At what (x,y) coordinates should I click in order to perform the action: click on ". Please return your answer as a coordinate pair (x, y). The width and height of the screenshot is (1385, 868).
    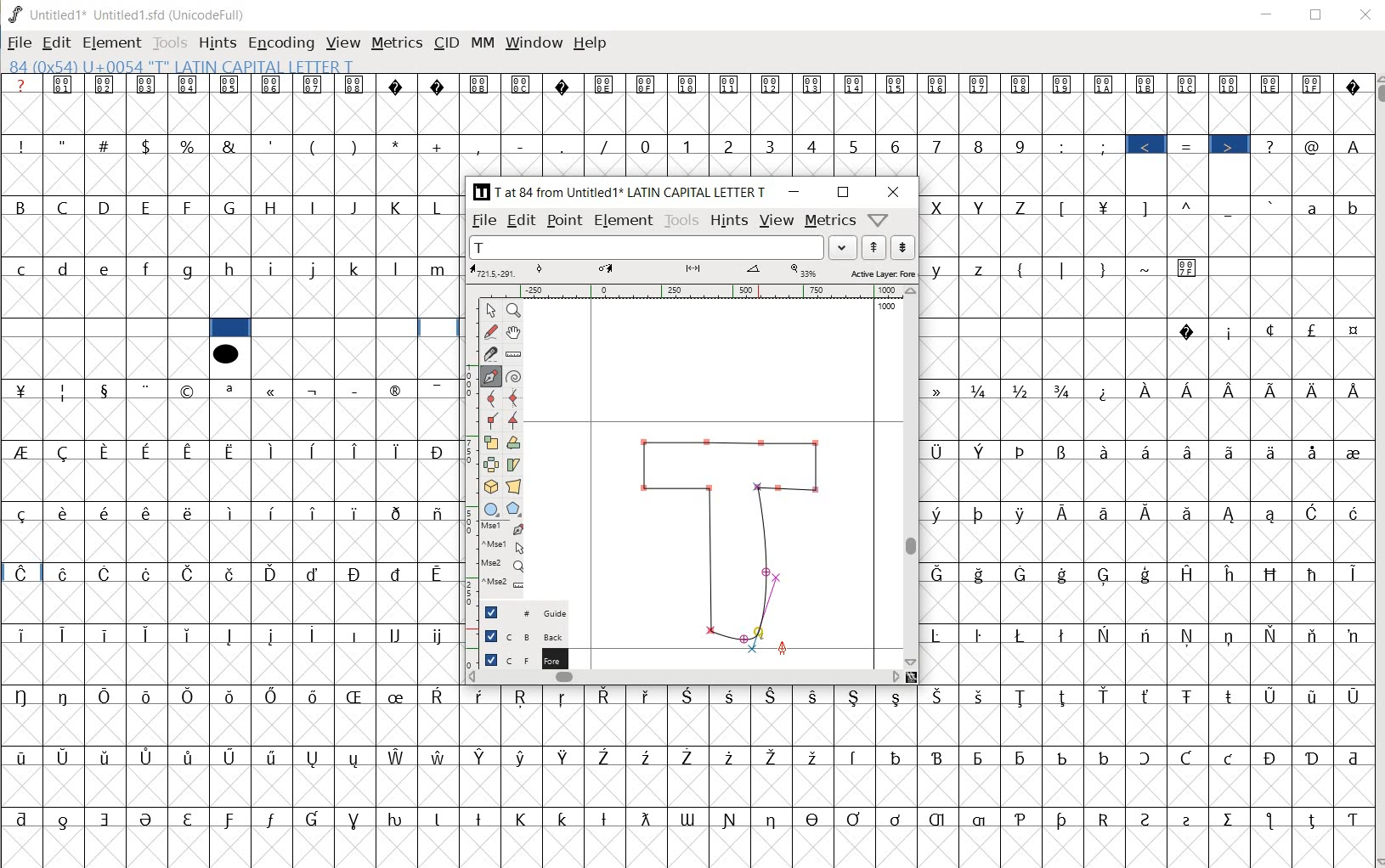
    Looking at the image, I should click on (65, 144).